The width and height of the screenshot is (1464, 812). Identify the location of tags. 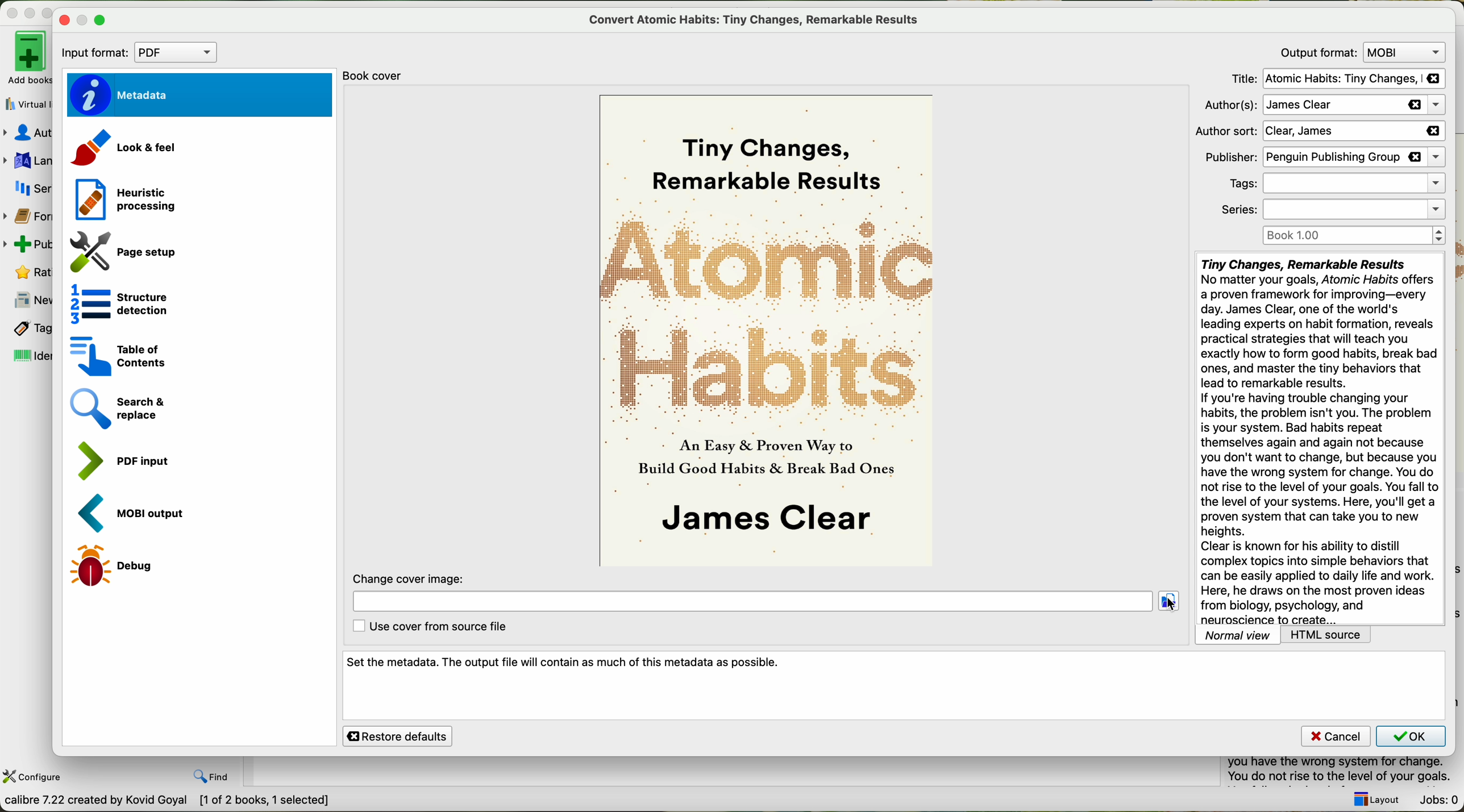
(1334, 184).